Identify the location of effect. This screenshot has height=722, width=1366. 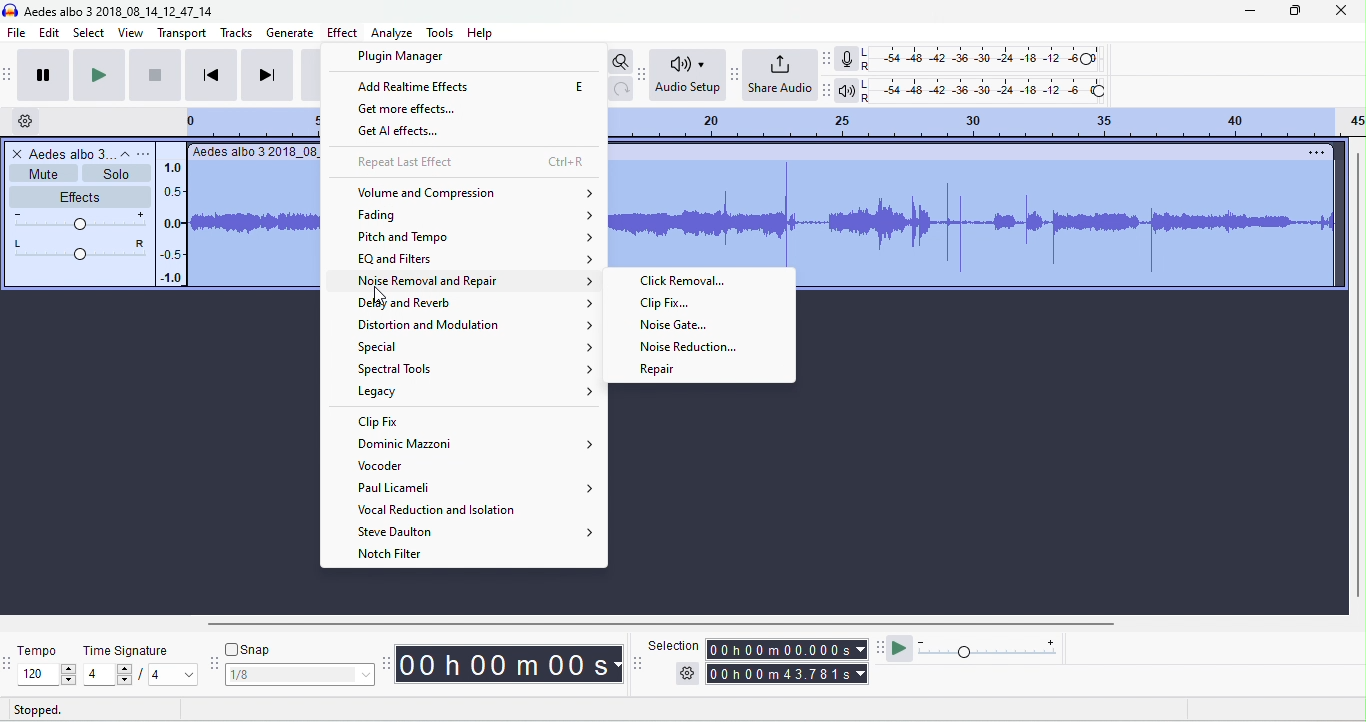
(342, 34).